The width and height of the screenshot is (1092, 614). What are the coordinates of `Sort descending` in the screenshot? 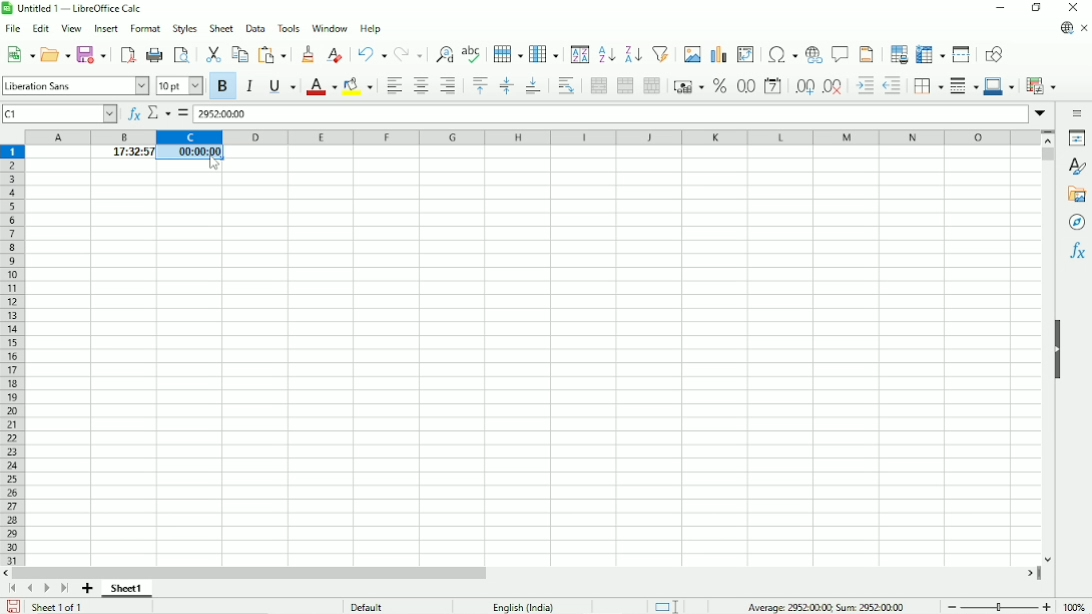 It's located at (634, 53).